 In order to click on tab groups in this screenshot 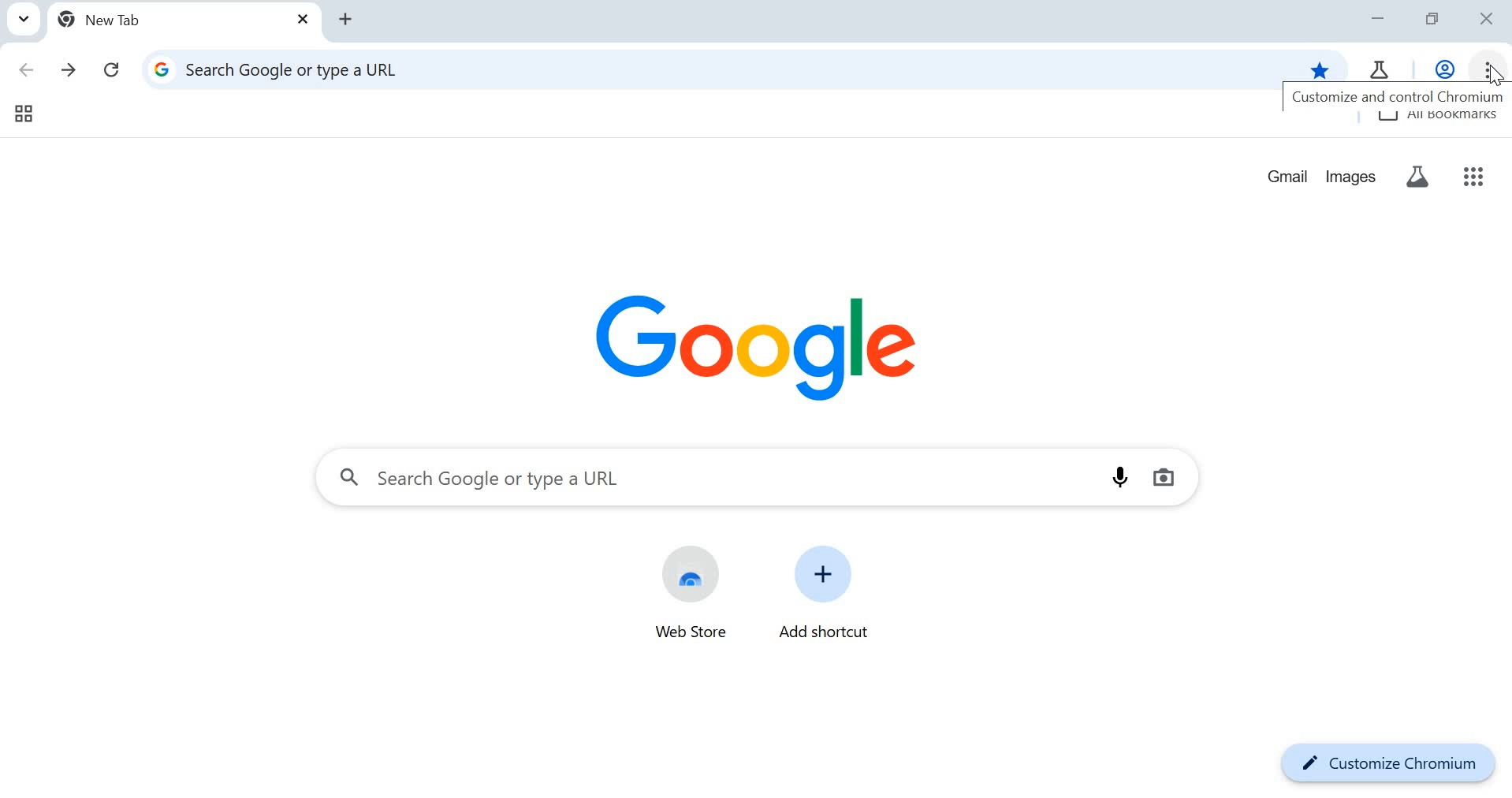, I will do `click(24, 114)`.